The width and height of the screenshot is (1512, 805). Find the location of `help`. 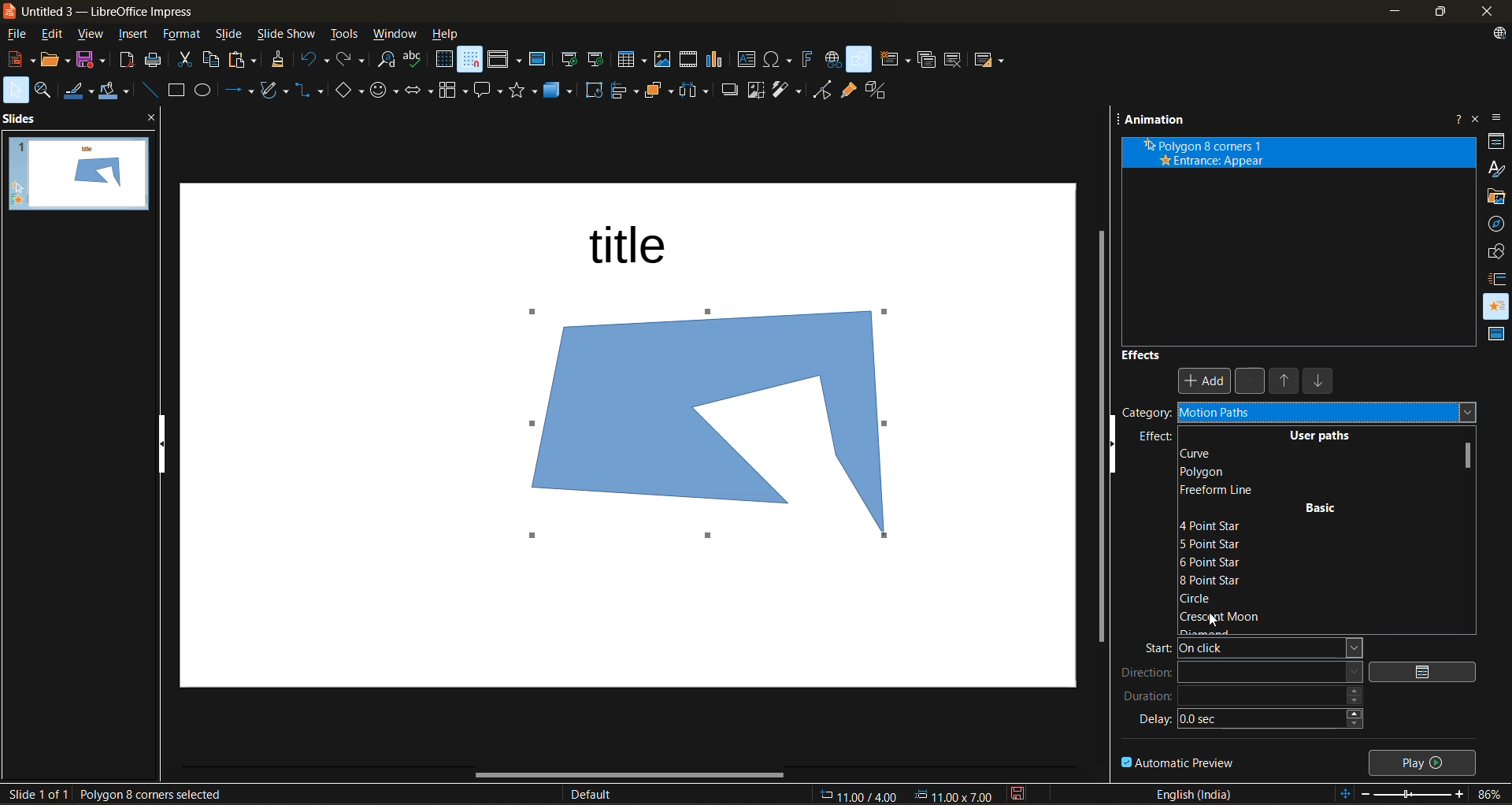

help is located at coordinates (447, 34).